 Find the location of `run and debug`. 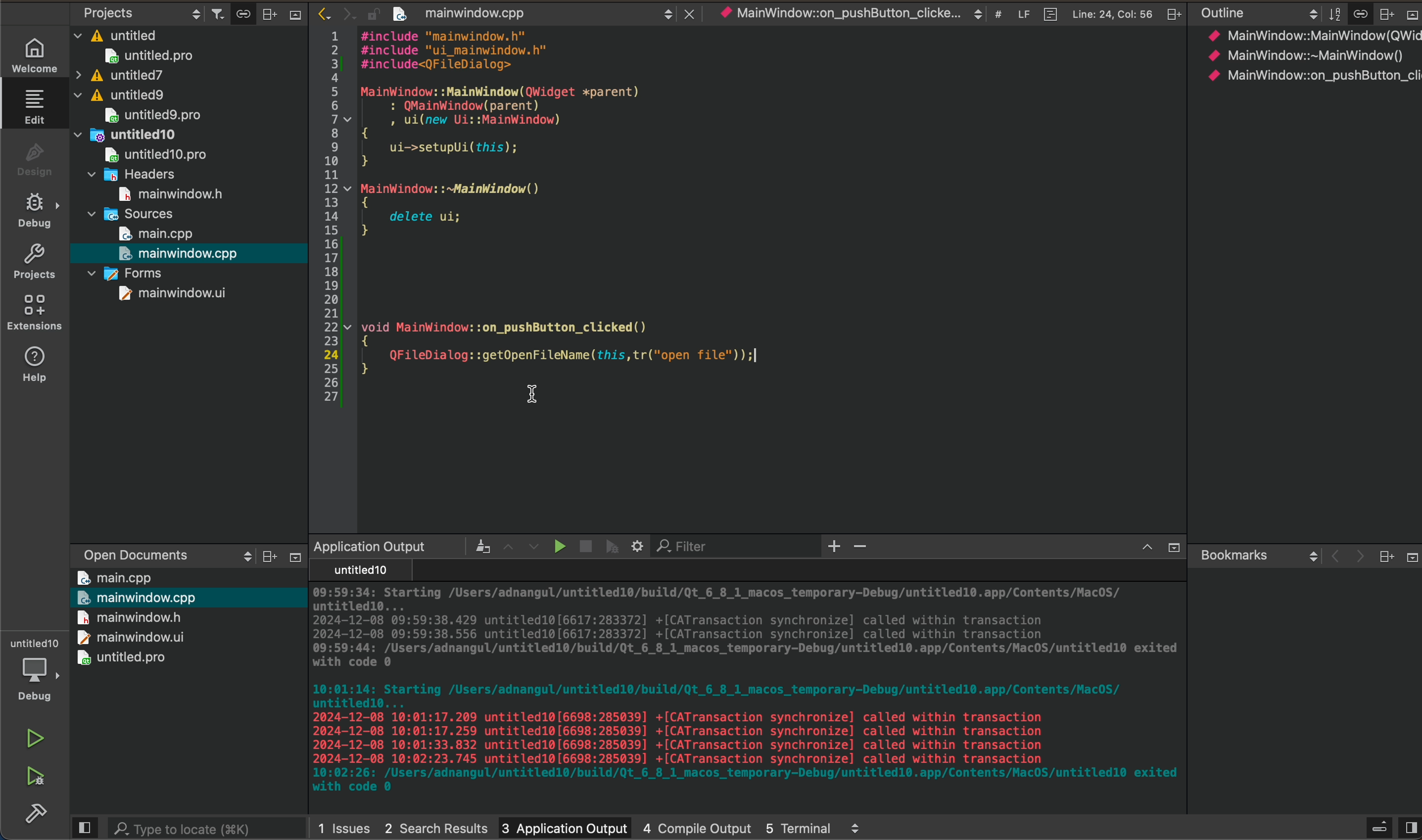

run and debug is located at coordinates (34, 781).